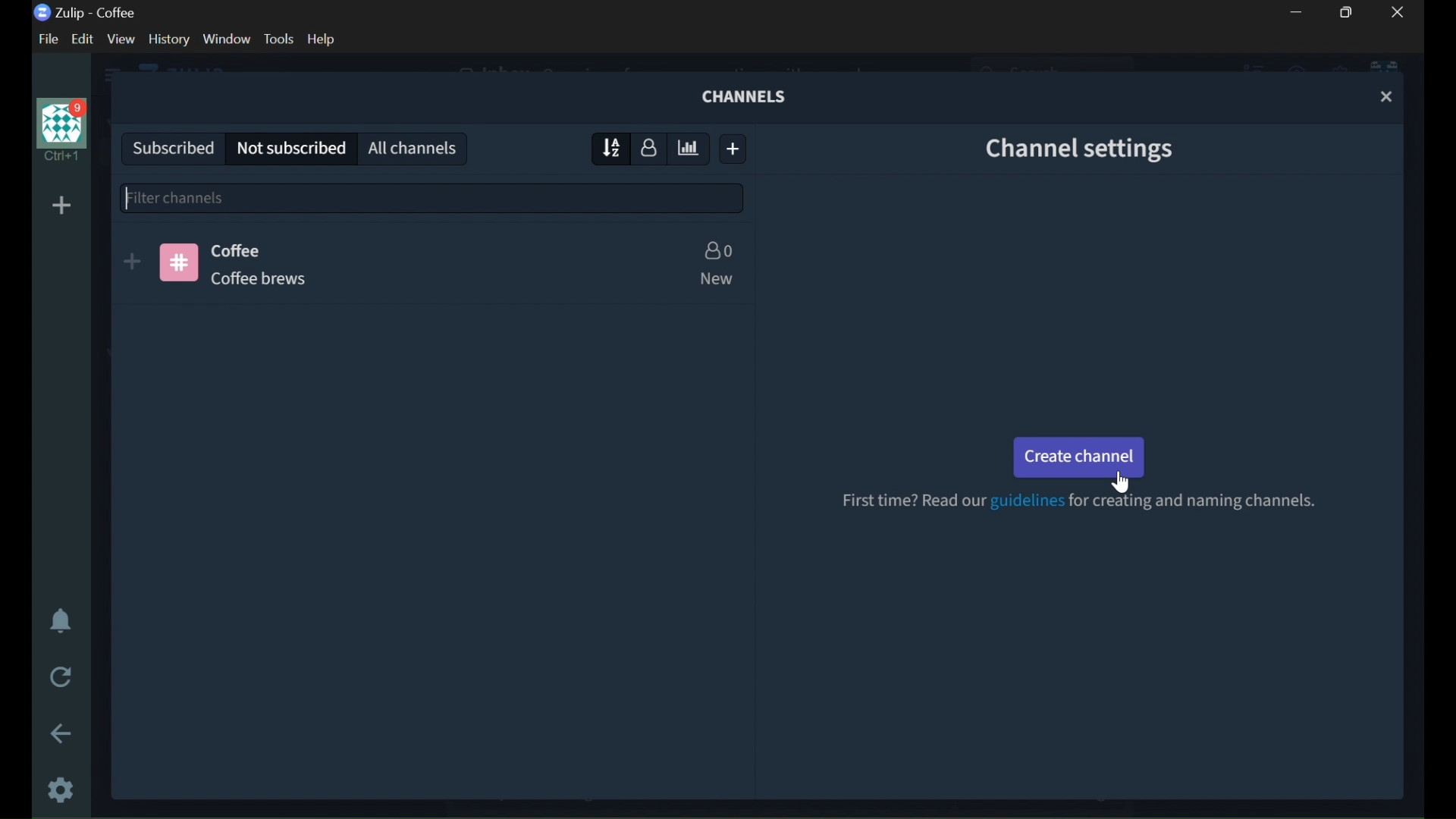 The width and height of the screenshot is (1456, 819). What do you see at coordinates (61, 206) in the screenshot?
I see `ADD ORGANIZER` at bounding box center [61, 206].